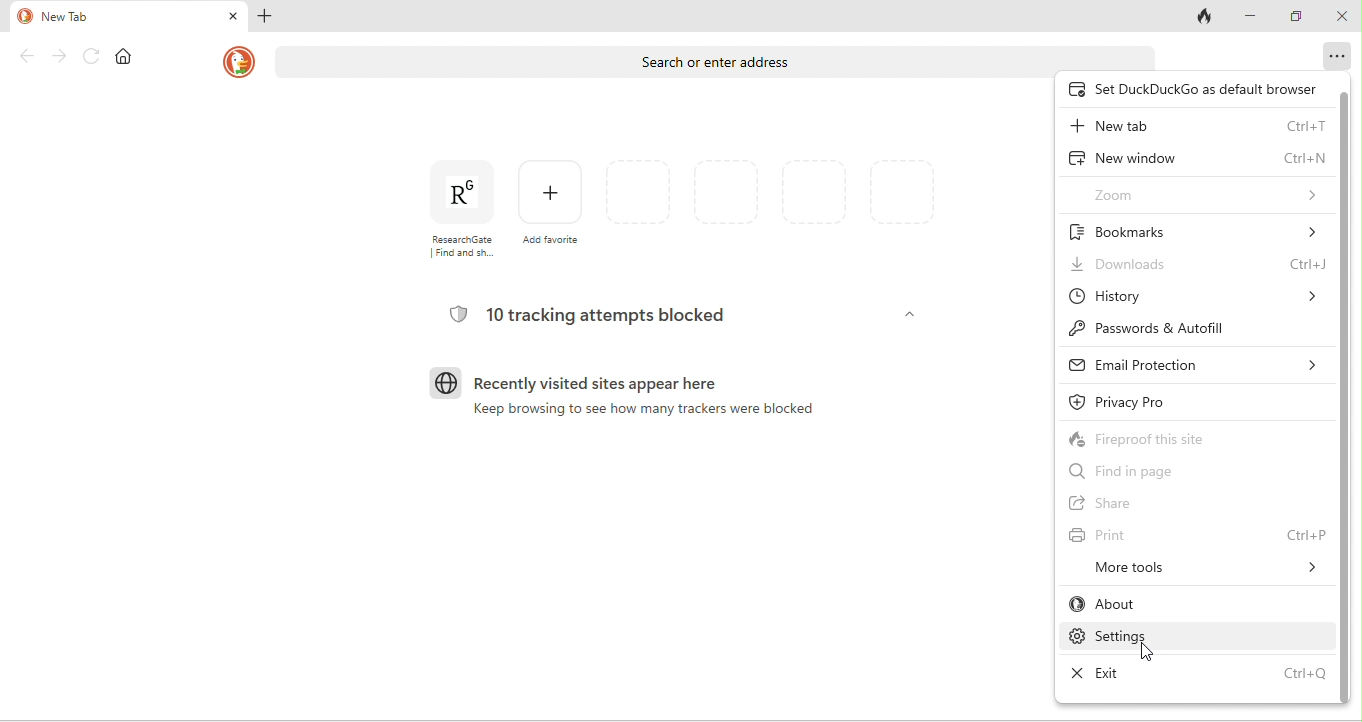 The width and height of the screenshot is (1362, 722). What do you see at coordinates (127, 57) in the screenshot?
I see `home` at bounding box center [127, 57].